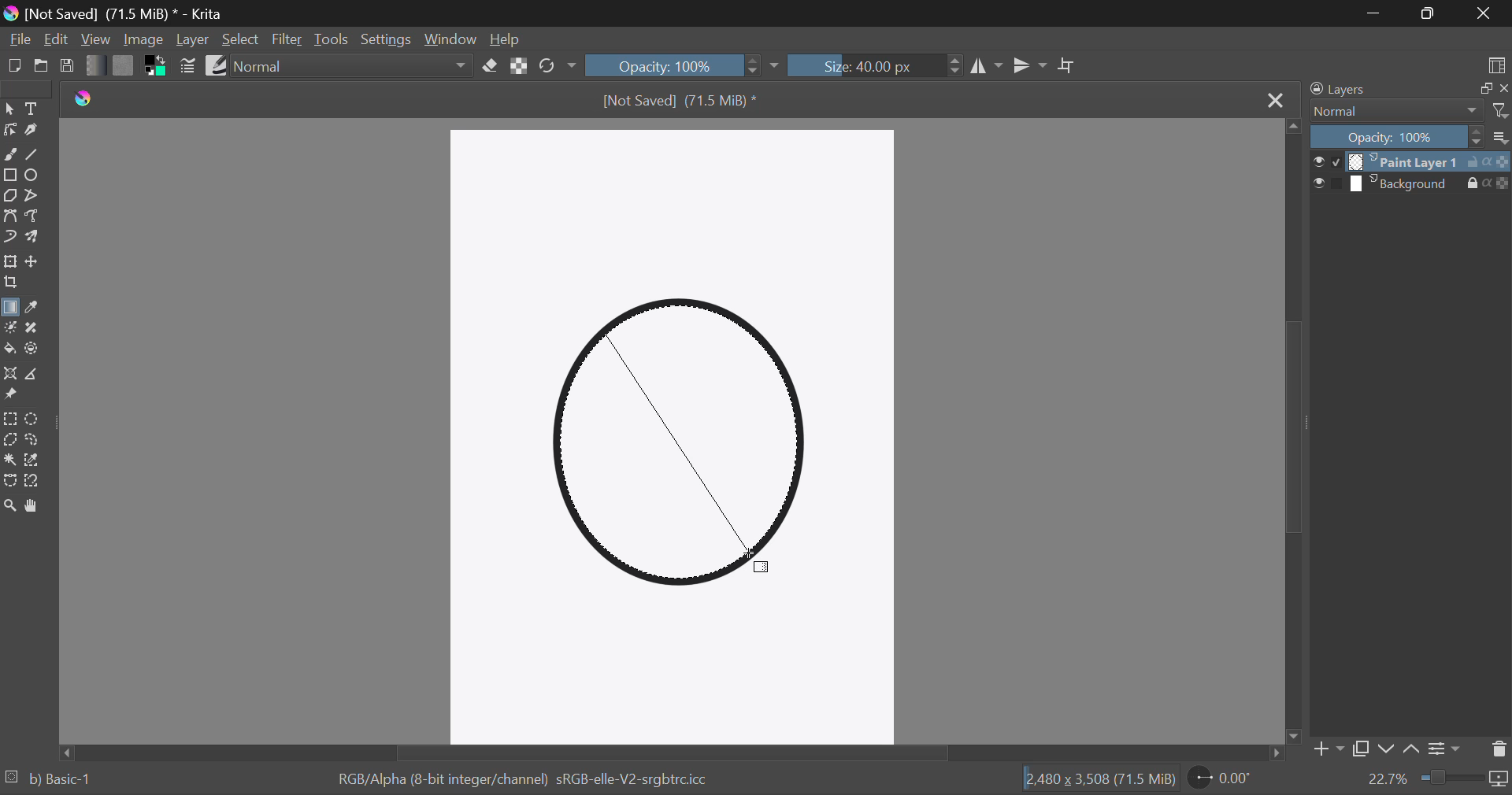 This screenshot has width=1512, height=795. Describe the element at coordinates (1395, 138) in the screenshot. I see `Opacity` at that location.